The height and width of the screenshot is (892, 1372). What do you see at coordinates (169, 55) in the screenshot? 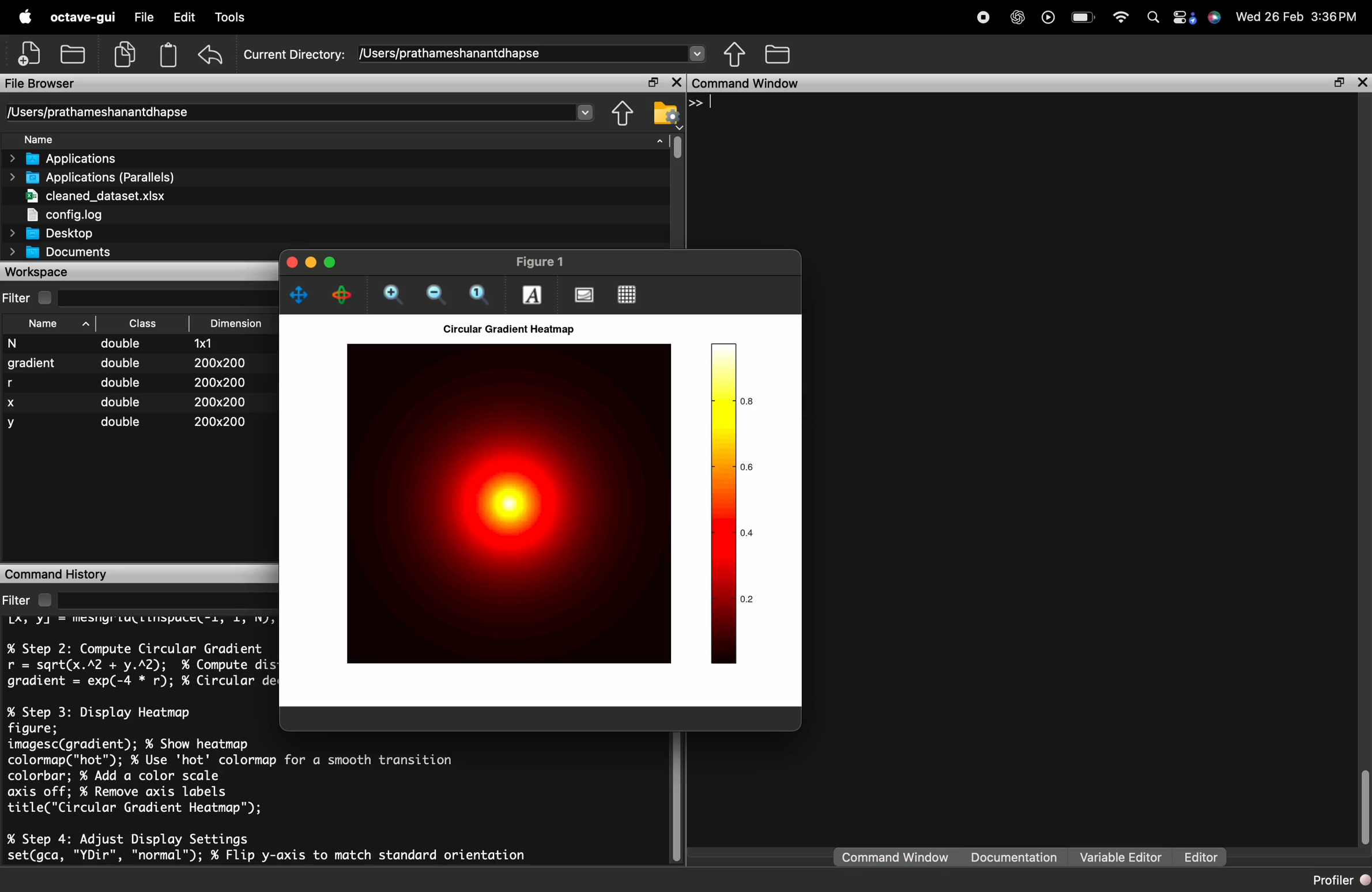
I see `paste` at bounding box center [169, 55].